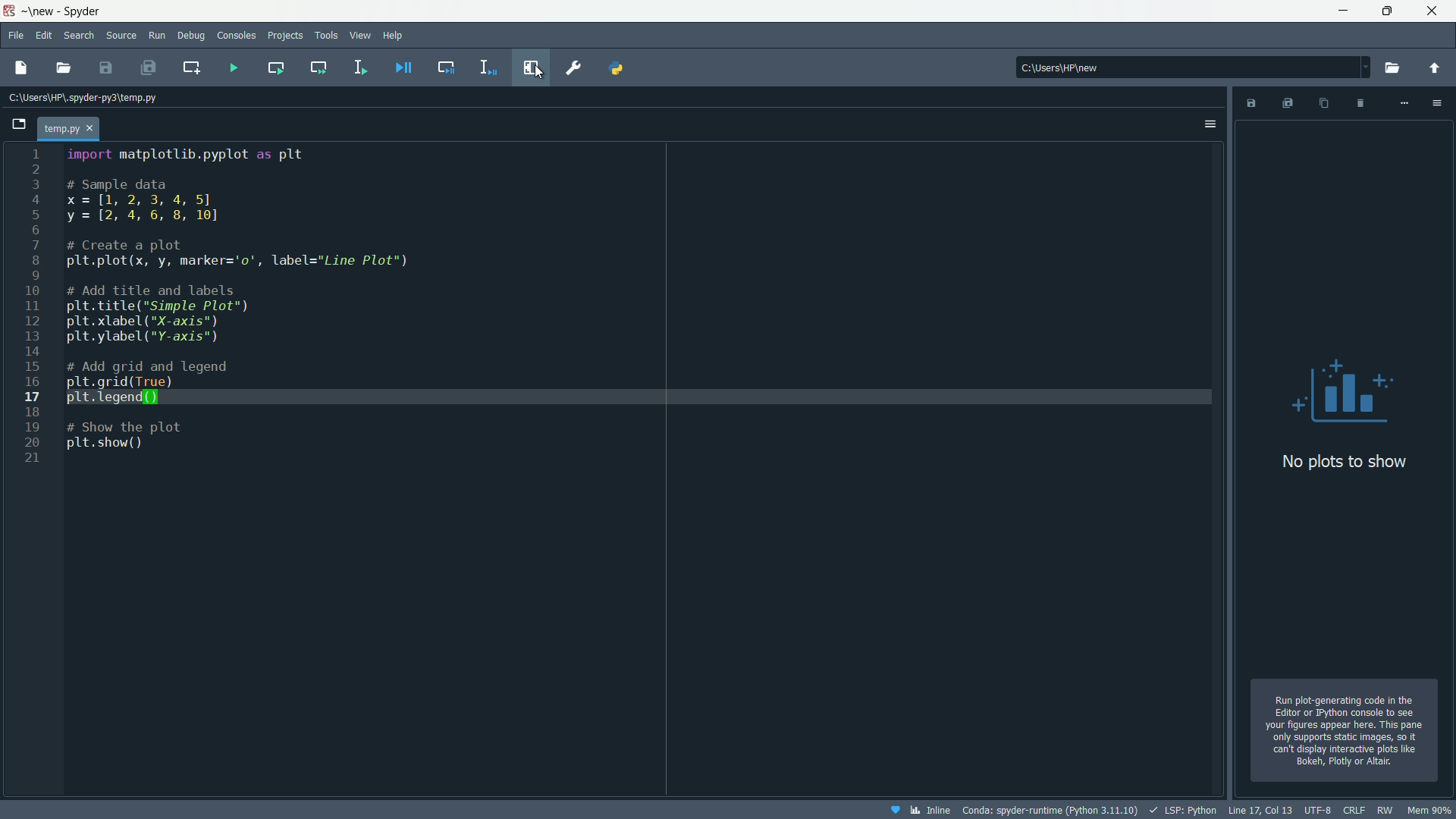 This screenshot has width=1456, height=819. I want to click on add cell to the current line, so click(193, 66).